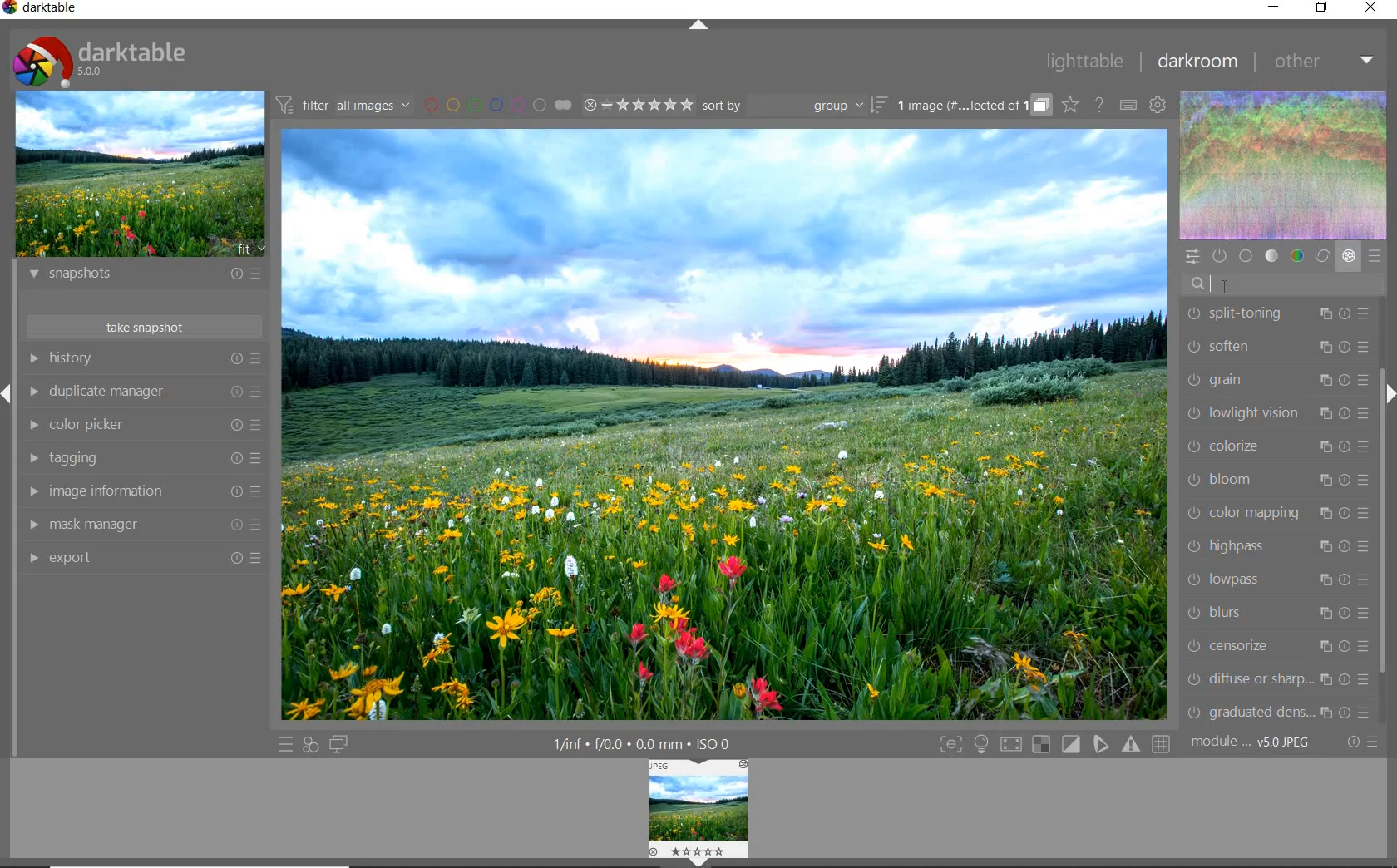 The height and width of the screenshot is (868, 1397). Describe the element at coordinates (1275, 581) in the screenshot. I see `lowpass` at that location.